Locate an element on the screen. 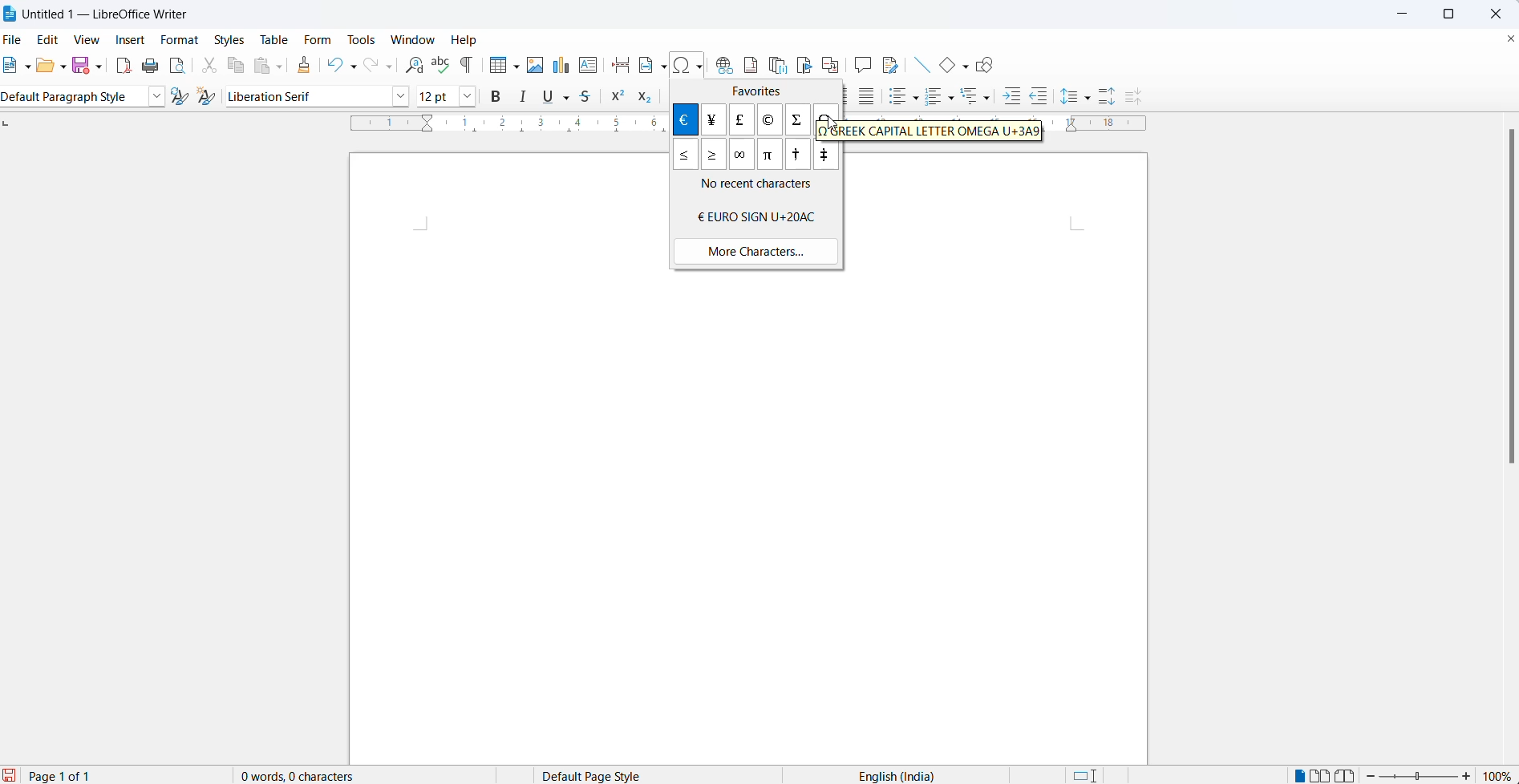  Untitled 1 — LibreOffice Writer is located at coordinates (111, 14).